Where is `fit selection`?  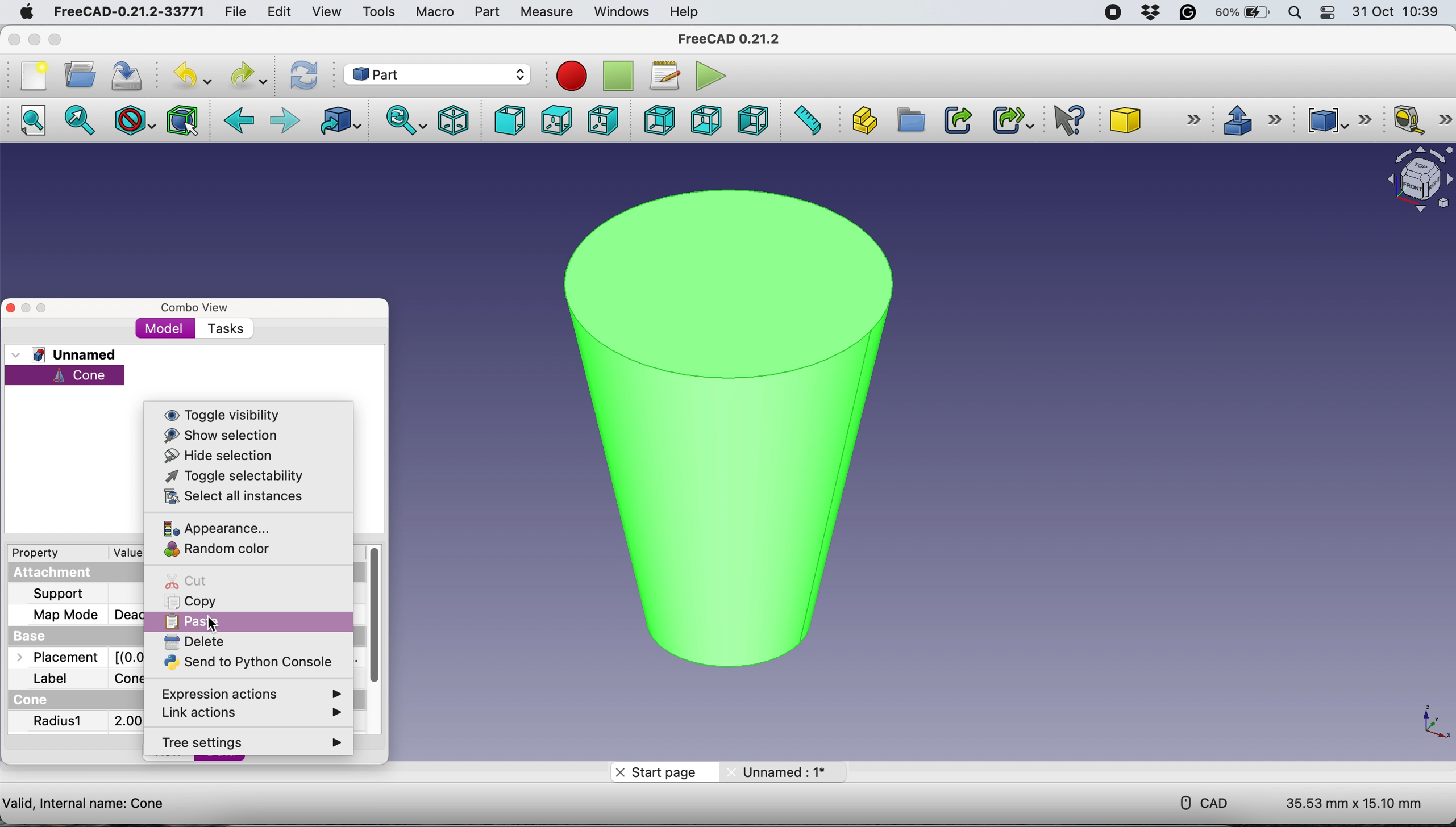 fit selection is located at coordinates (83, 121).